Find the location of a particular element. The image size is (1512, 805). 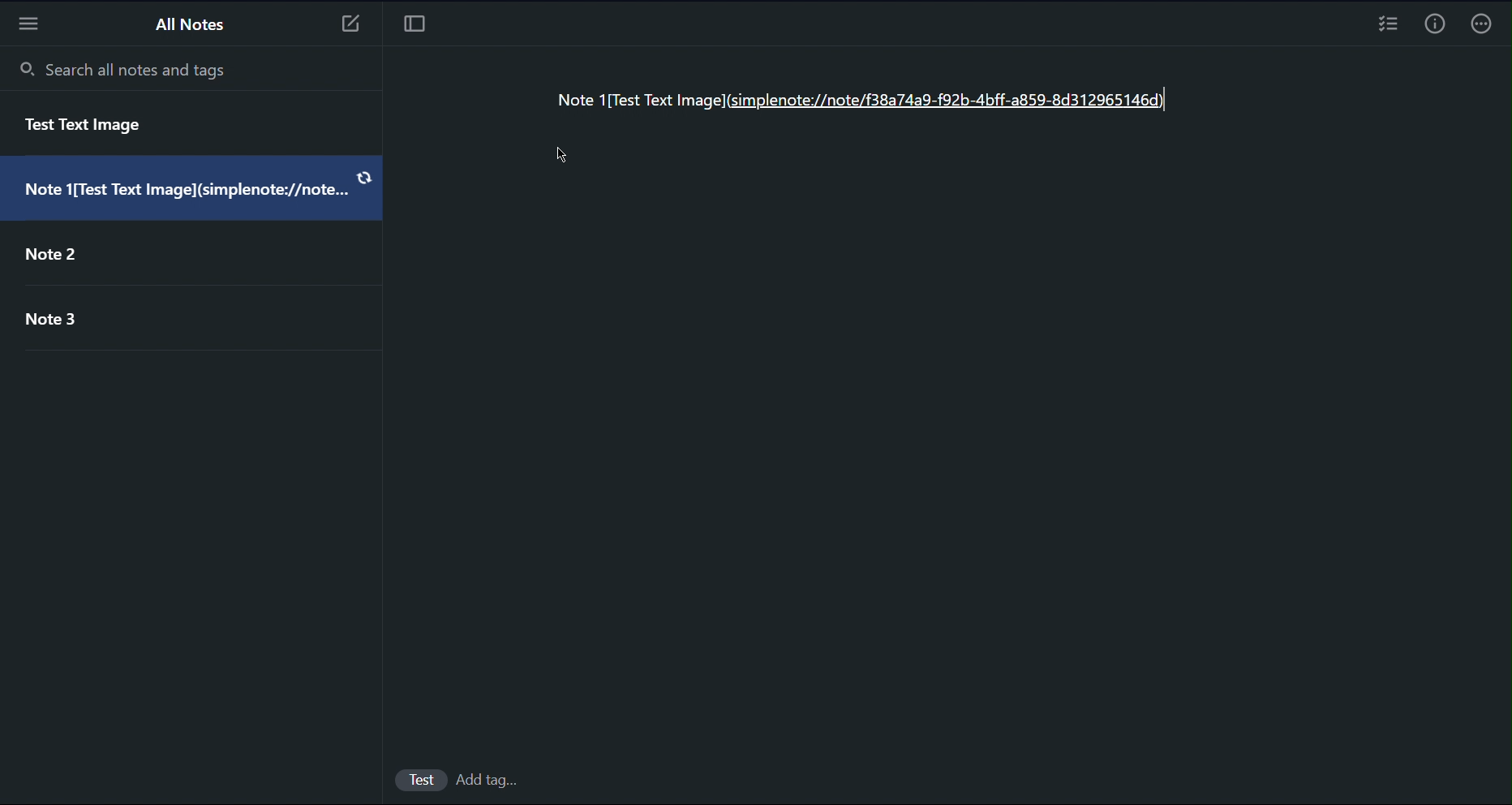

Note 2 is located at coordinates (78, 255).